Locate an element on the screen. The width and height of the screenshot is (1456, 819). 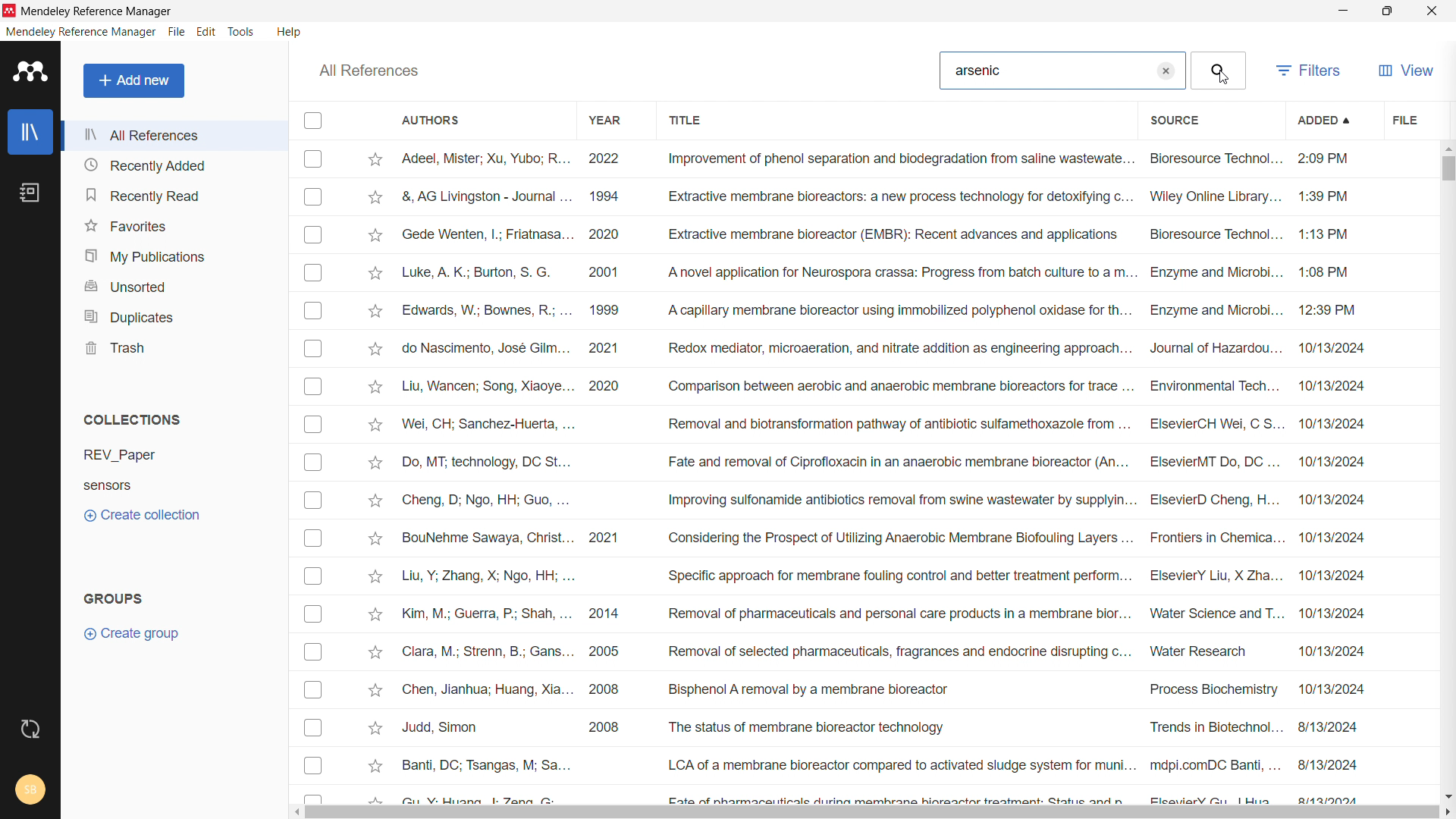
Checkbox is located at coordinates (315, 616).